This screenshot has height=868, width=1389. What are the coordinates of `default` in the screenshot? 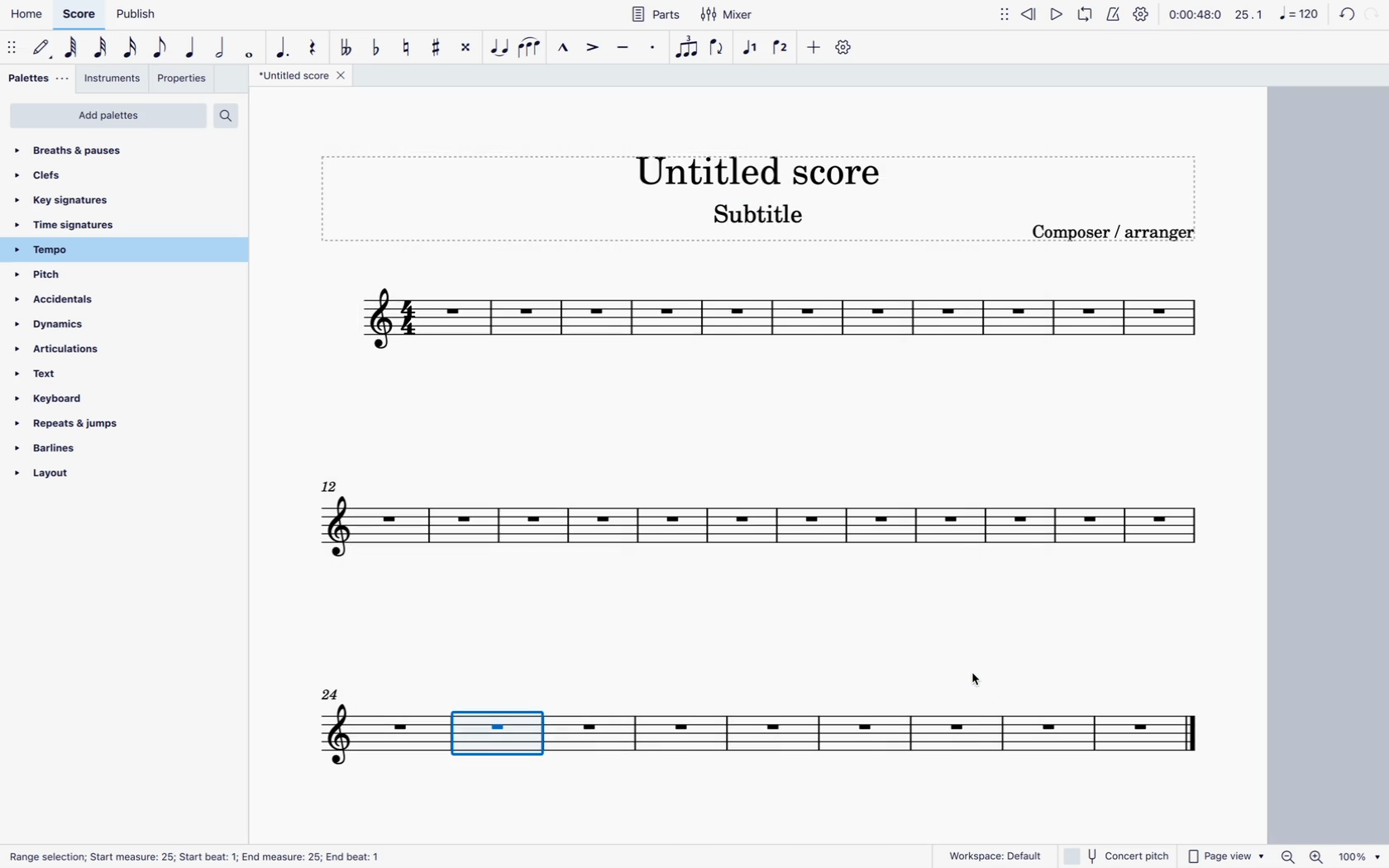 It's located at (41, 49).